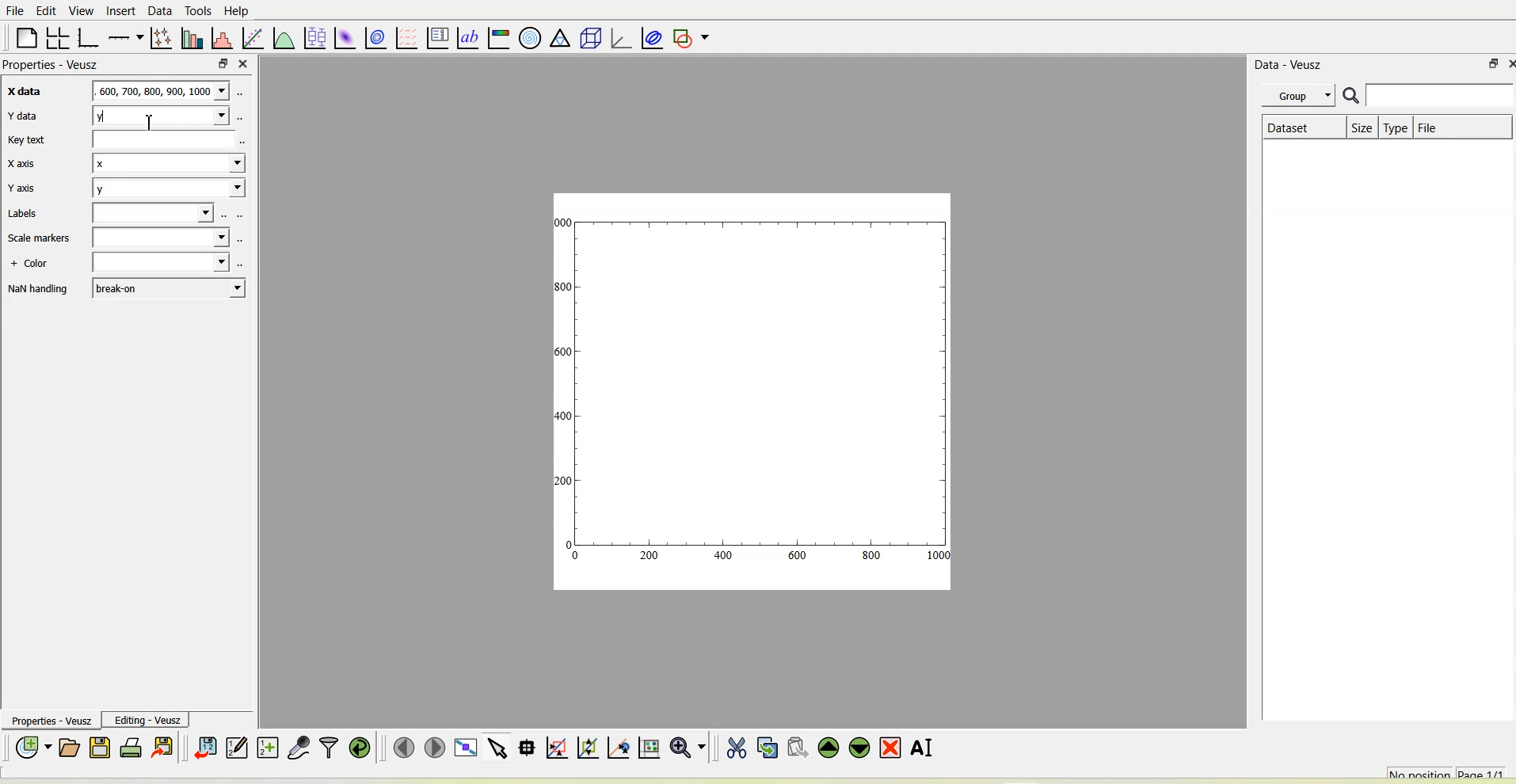 The width and height of the screenshot is (1516, 784). What do you see at coordinates (24, 163) in the screenshot?
I see `X axis` at bounding box center [24, 163].